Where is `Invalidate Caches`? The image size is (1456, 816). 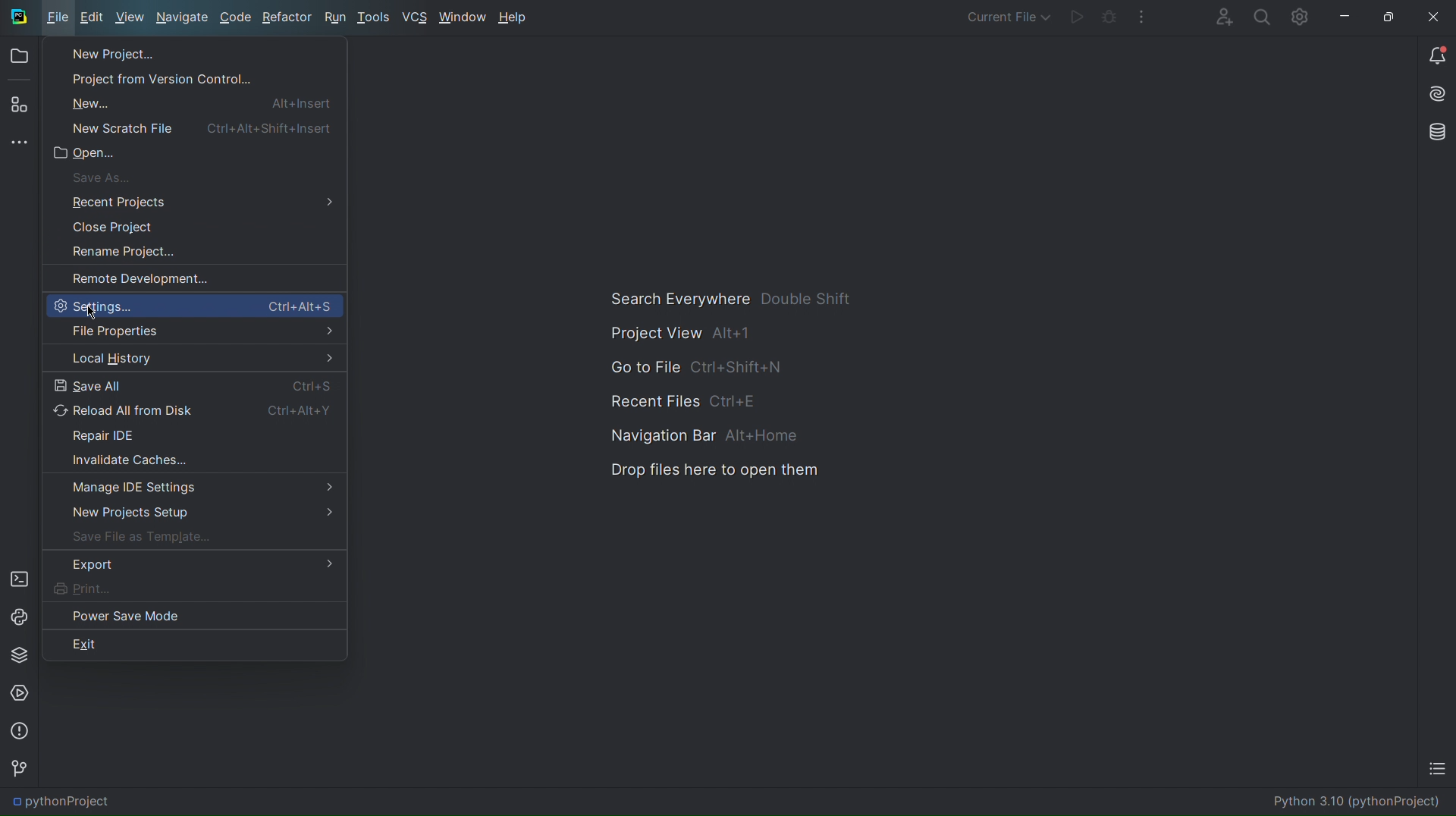
Invalidate Caches is located at coordinates (194, 460).